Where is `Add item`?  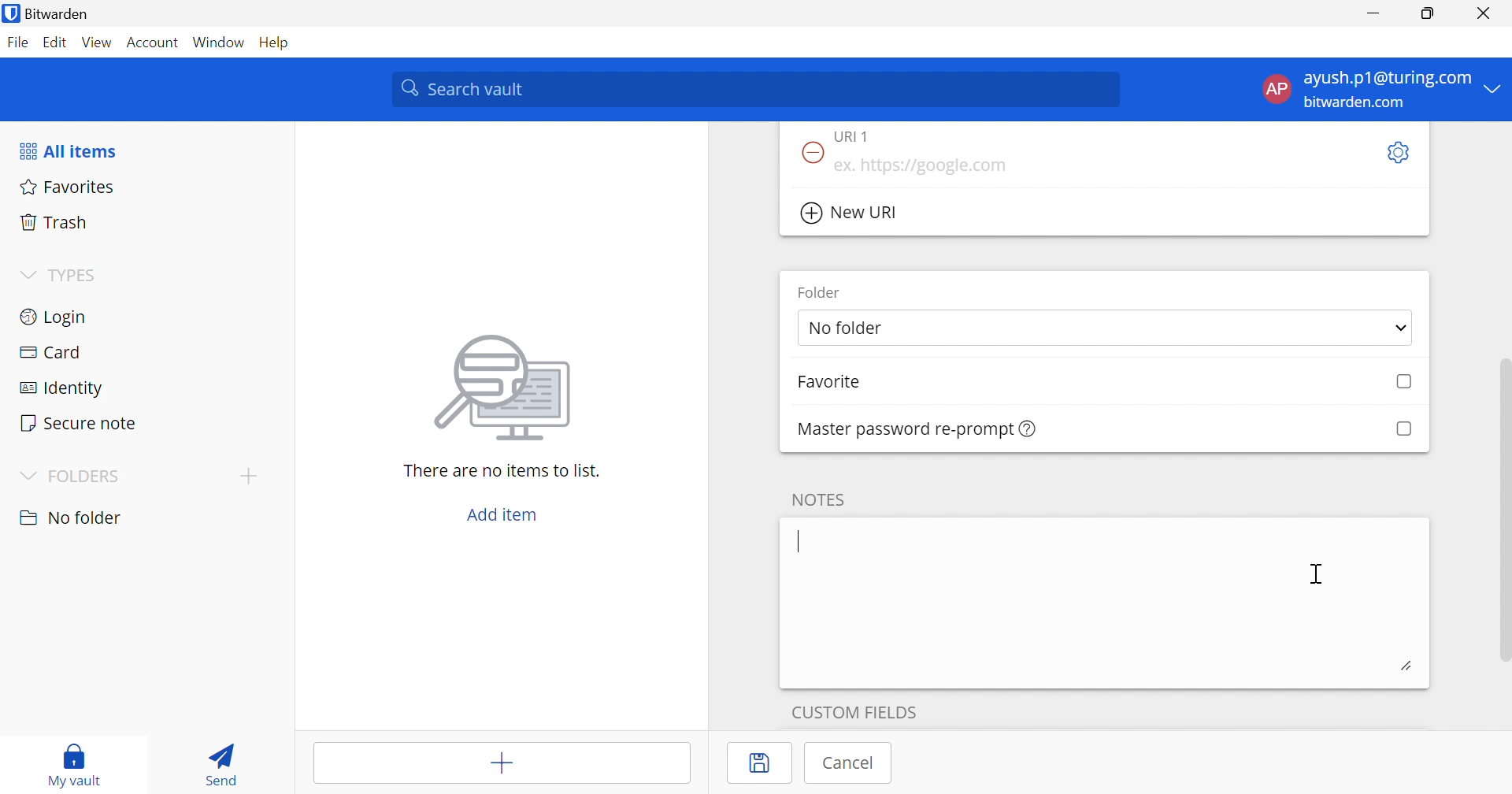 Add item is located at coordinates (502, 514).